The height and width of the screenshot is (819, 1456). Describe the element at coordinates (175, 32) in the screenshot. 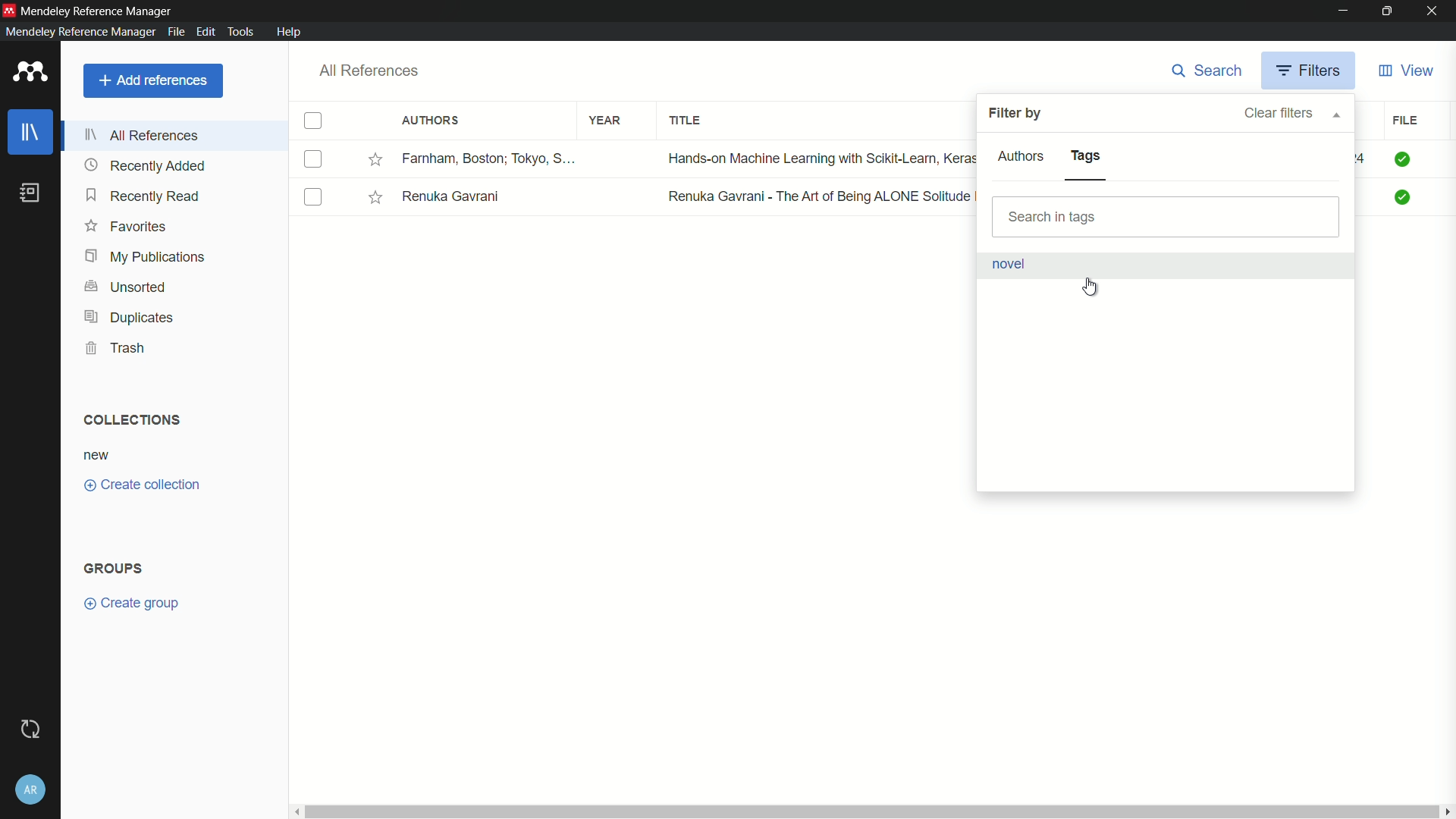

I see `file menu` at that location.